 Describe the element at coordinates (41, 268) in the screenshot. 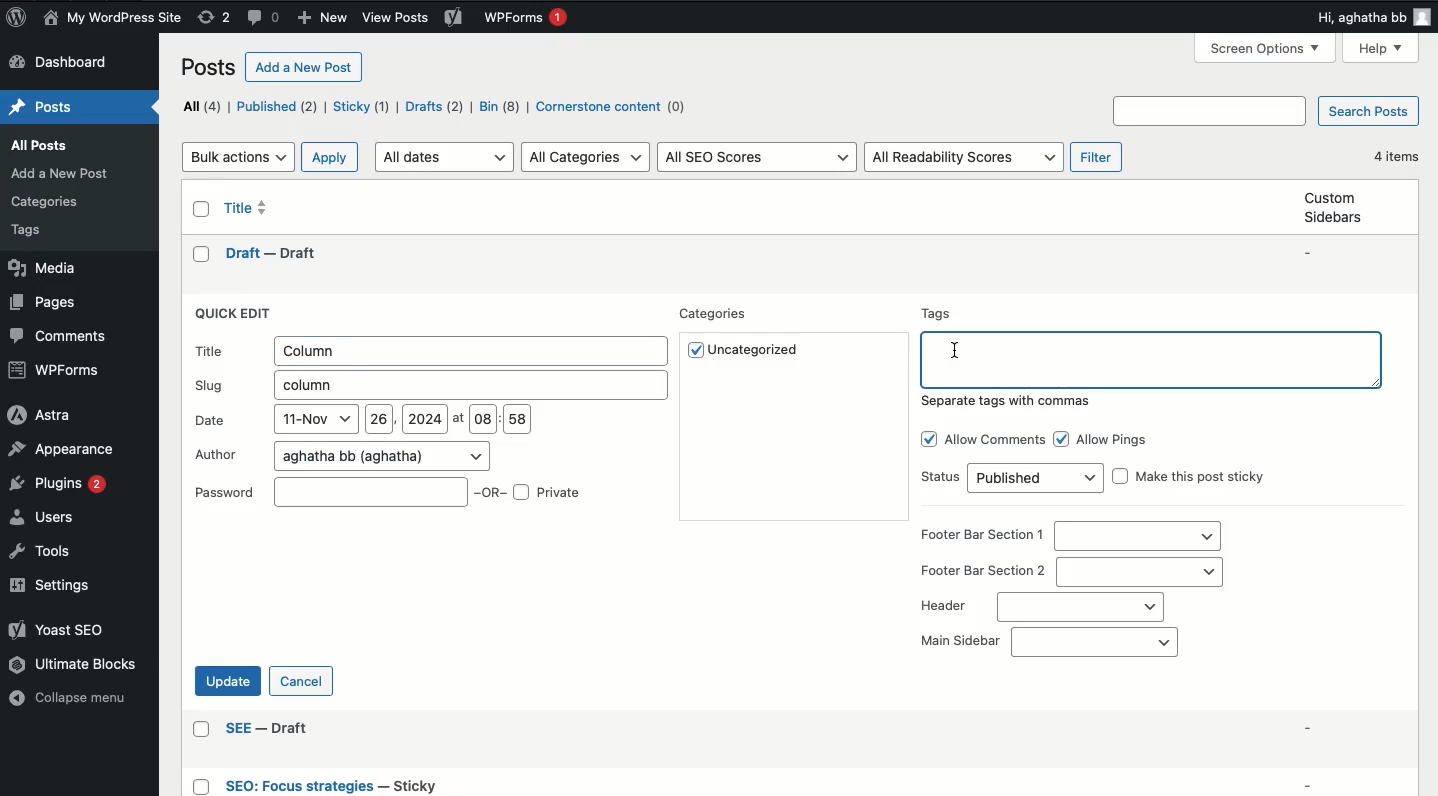

I see `Media` at that location.